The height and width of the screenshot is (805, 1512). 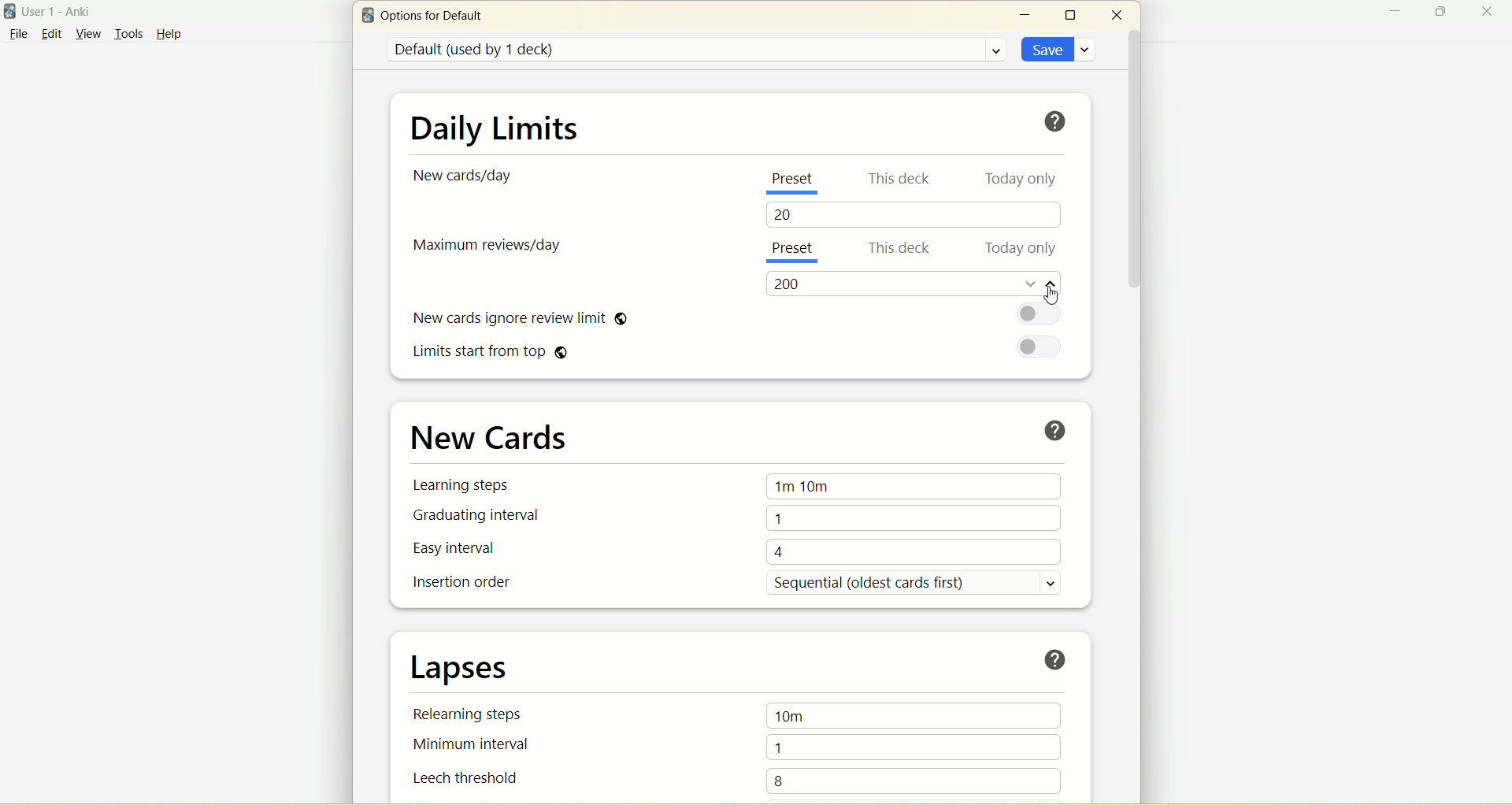 What do you see at coordinates (1043, 317) in the screenshot?
I see `toggle button` at bounding box center [1043, 317].